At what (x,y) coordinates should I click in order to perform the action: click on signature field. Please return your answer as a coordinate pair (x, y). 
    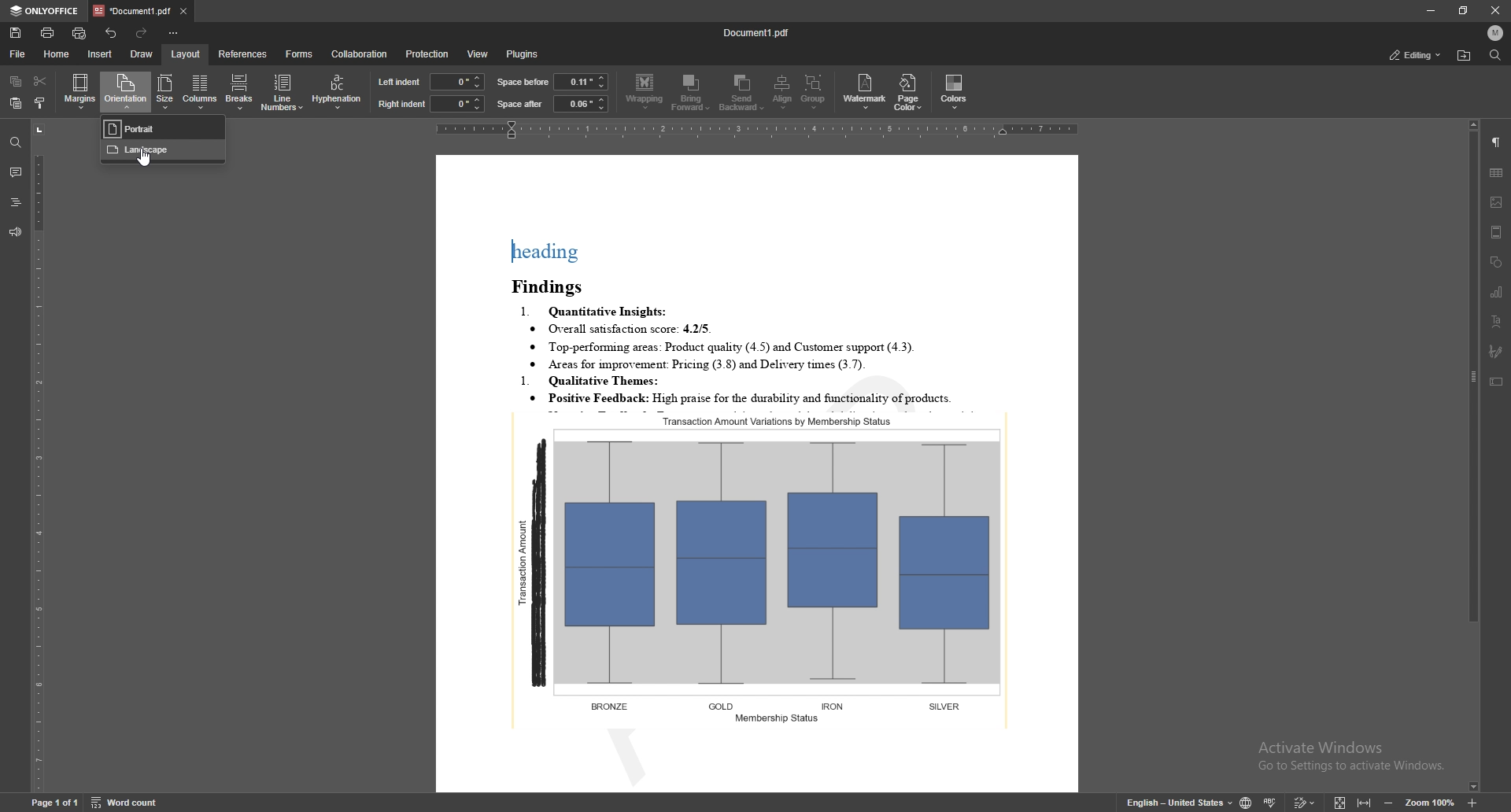
    Looking at the image, I should click on (1497, 352).